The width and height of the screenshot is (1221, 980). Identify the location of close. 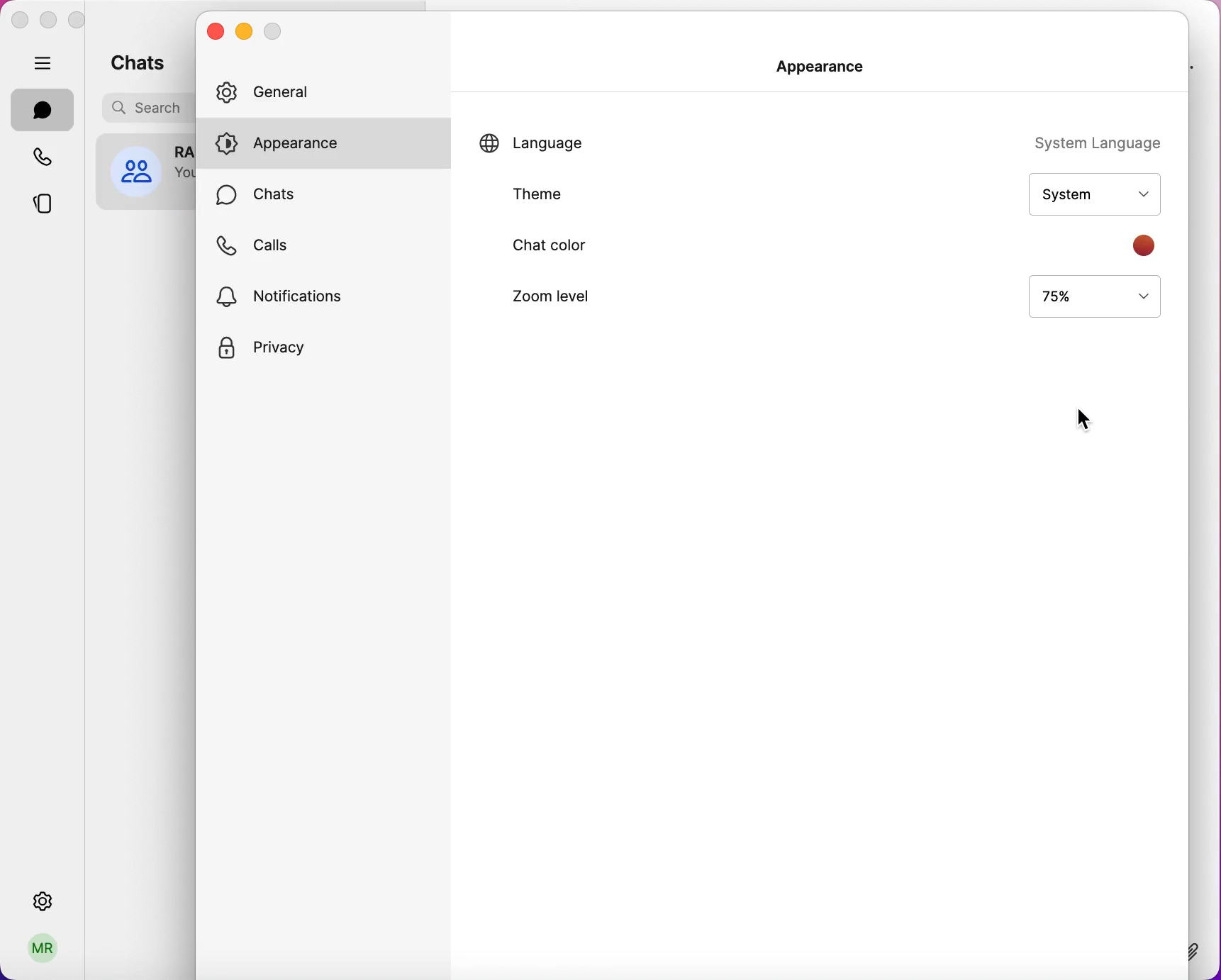
(213, 31).